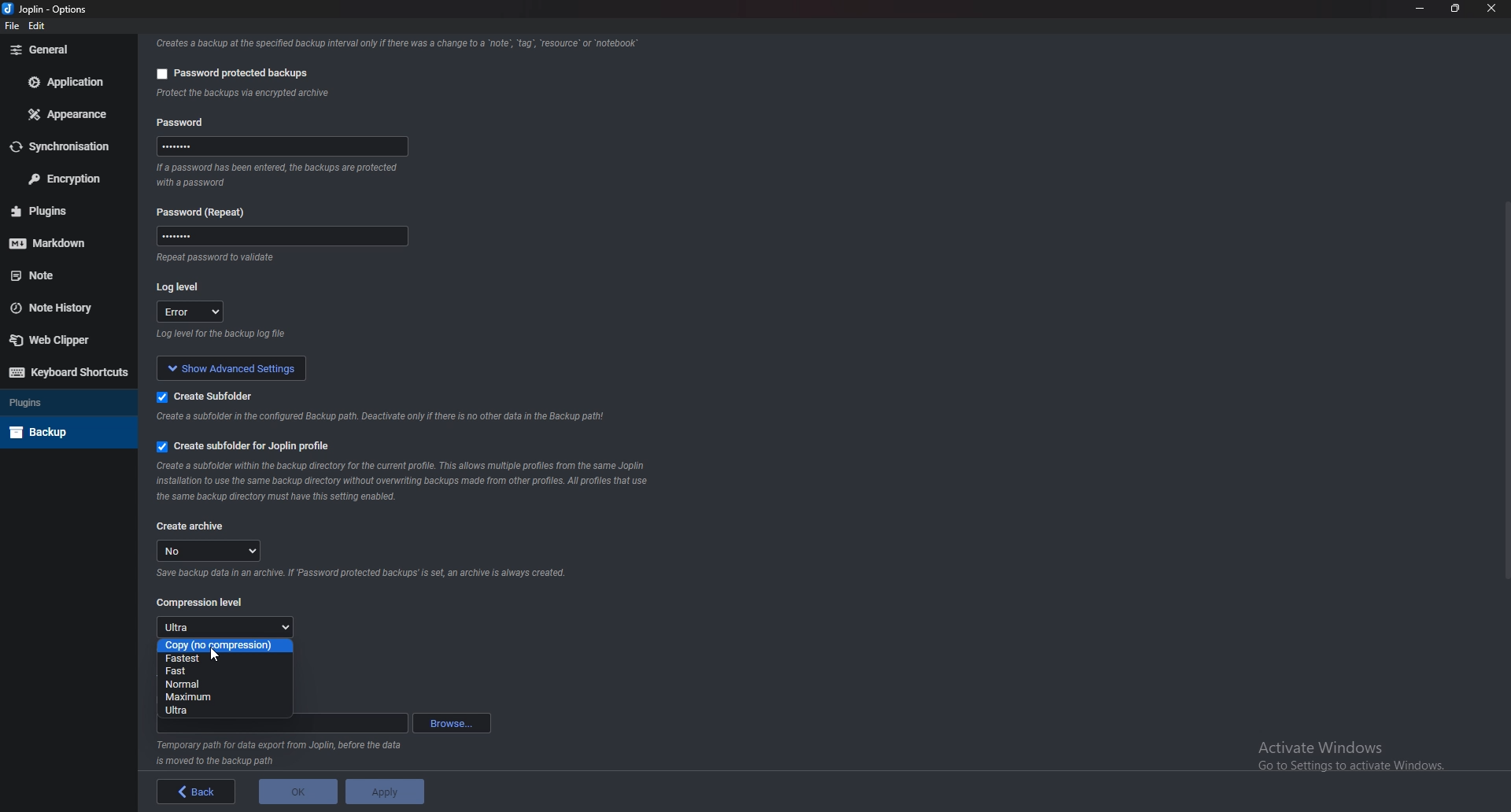 The height and width of the screenshot is (812, 1511). Describe the element at coordinates (225, 644) in the screenshot. I see `copy (no compression)` at that location.